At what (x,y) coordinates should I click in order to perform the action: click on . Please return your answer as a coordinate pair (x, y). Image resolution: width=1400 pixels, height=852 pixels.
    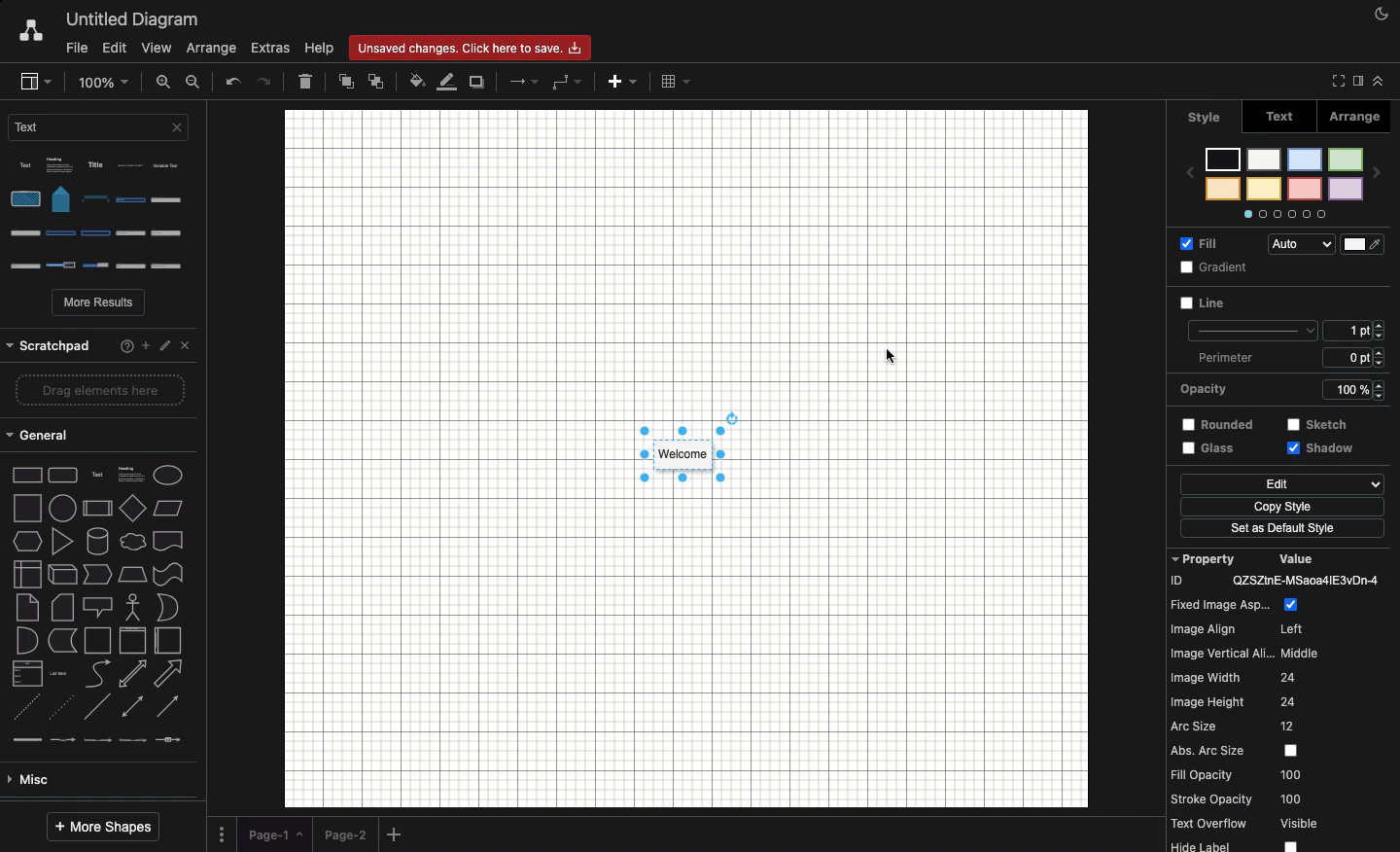
    Looking at the image, I should click on (1278, 531).